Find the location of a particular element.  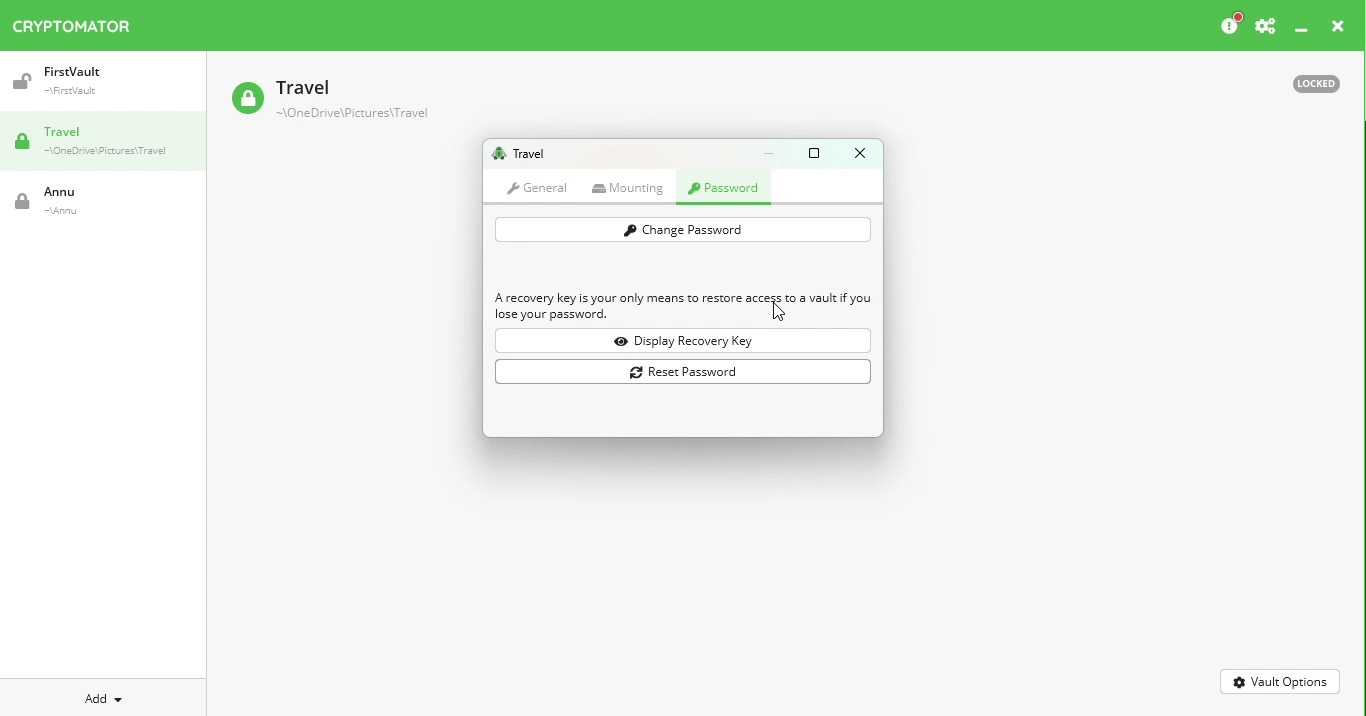

Cursor is located at coordinates (775, 313).